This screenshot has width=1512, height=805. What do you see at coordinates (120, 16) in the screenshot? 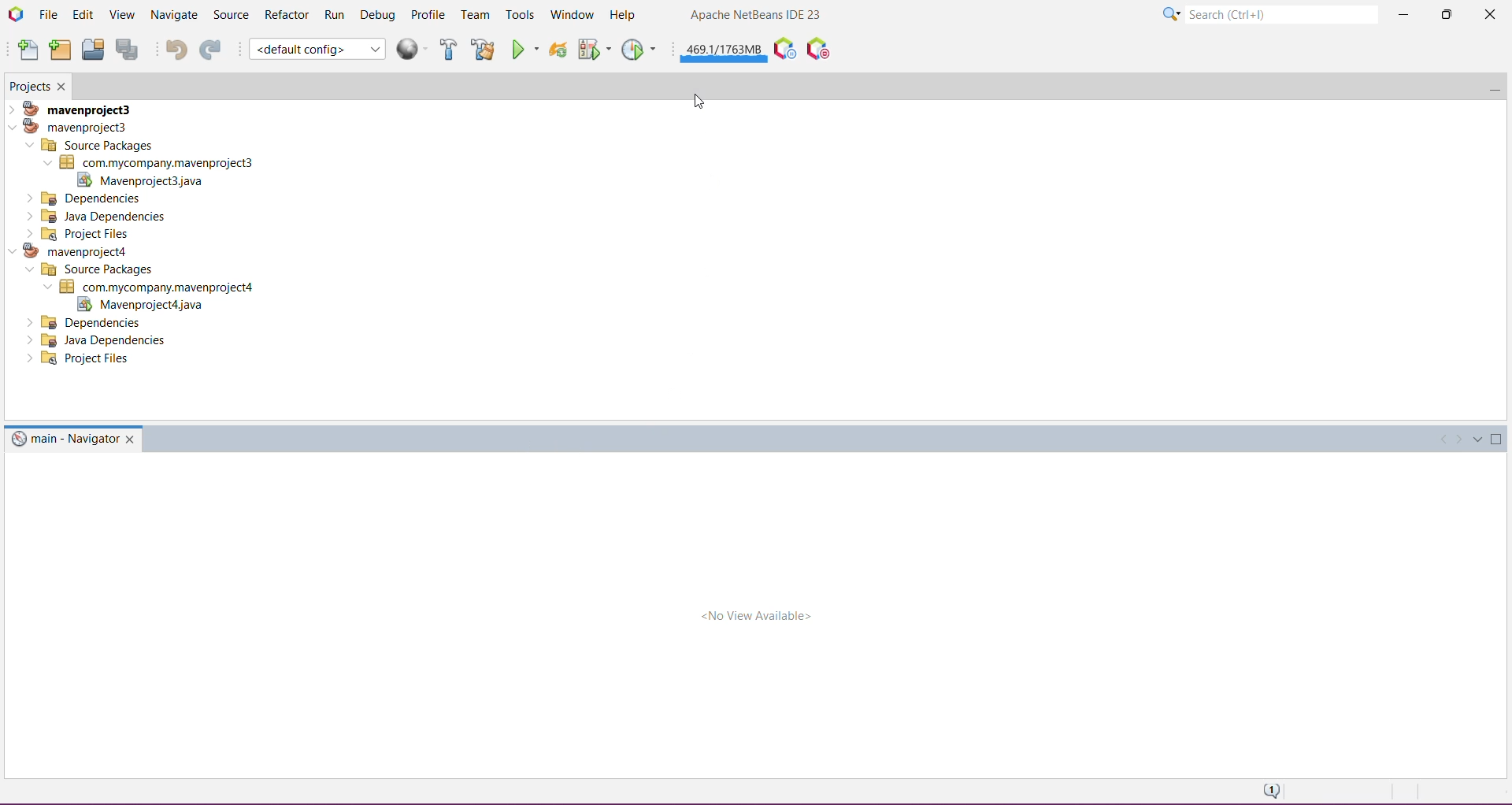
I see `View` at bounding box center [120, 16].